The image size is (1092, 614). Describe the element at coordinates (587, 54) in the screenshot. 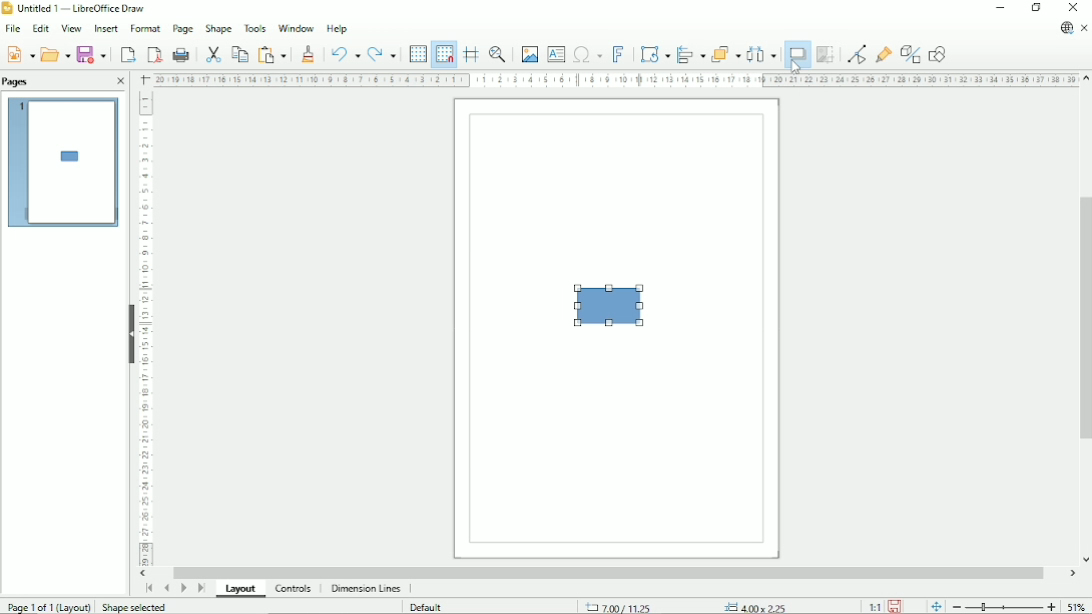

I see `Insert special characters` at that location.